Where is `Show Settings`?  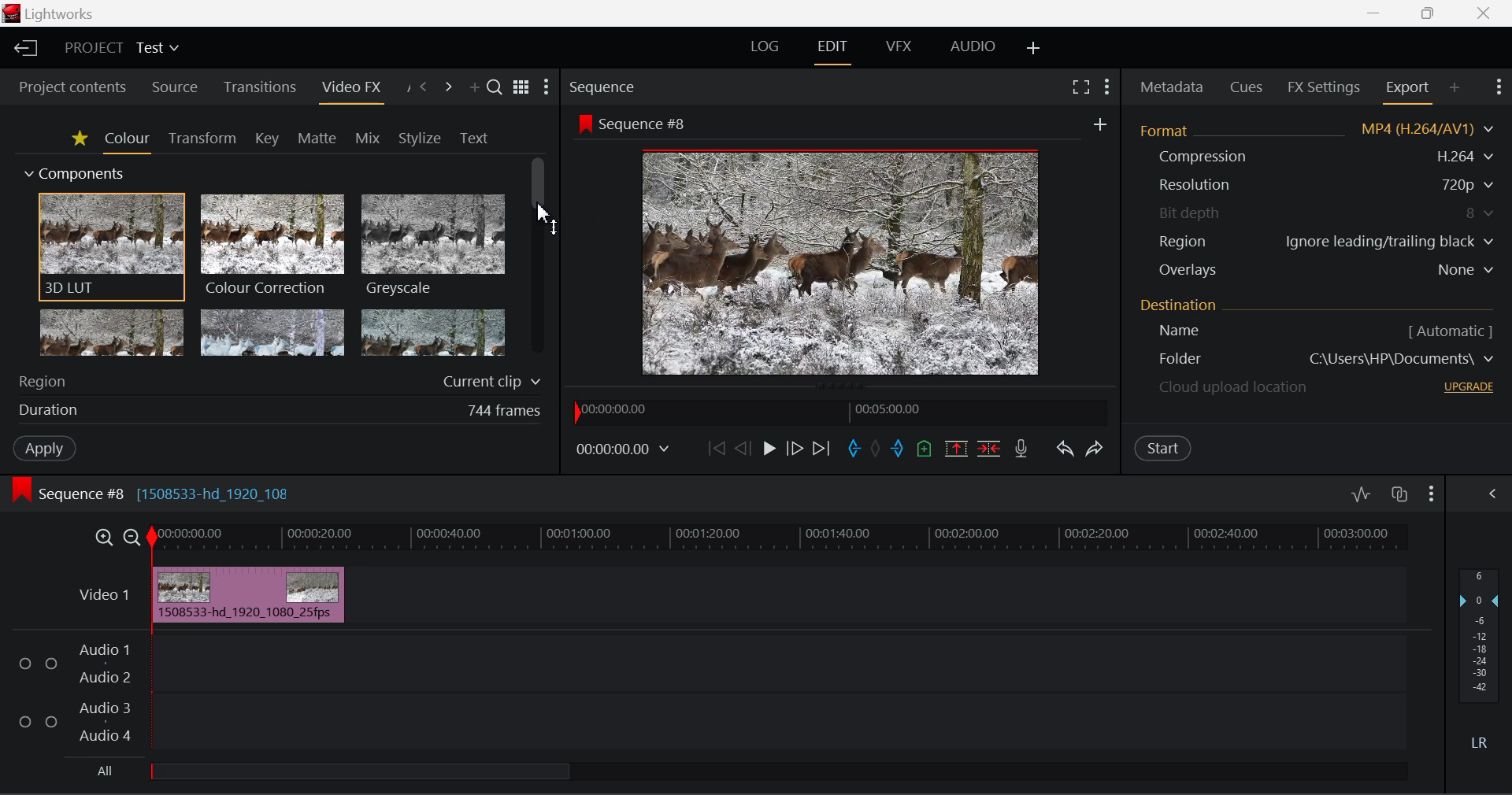
Show Settings is located at coordinates (1432, 492).